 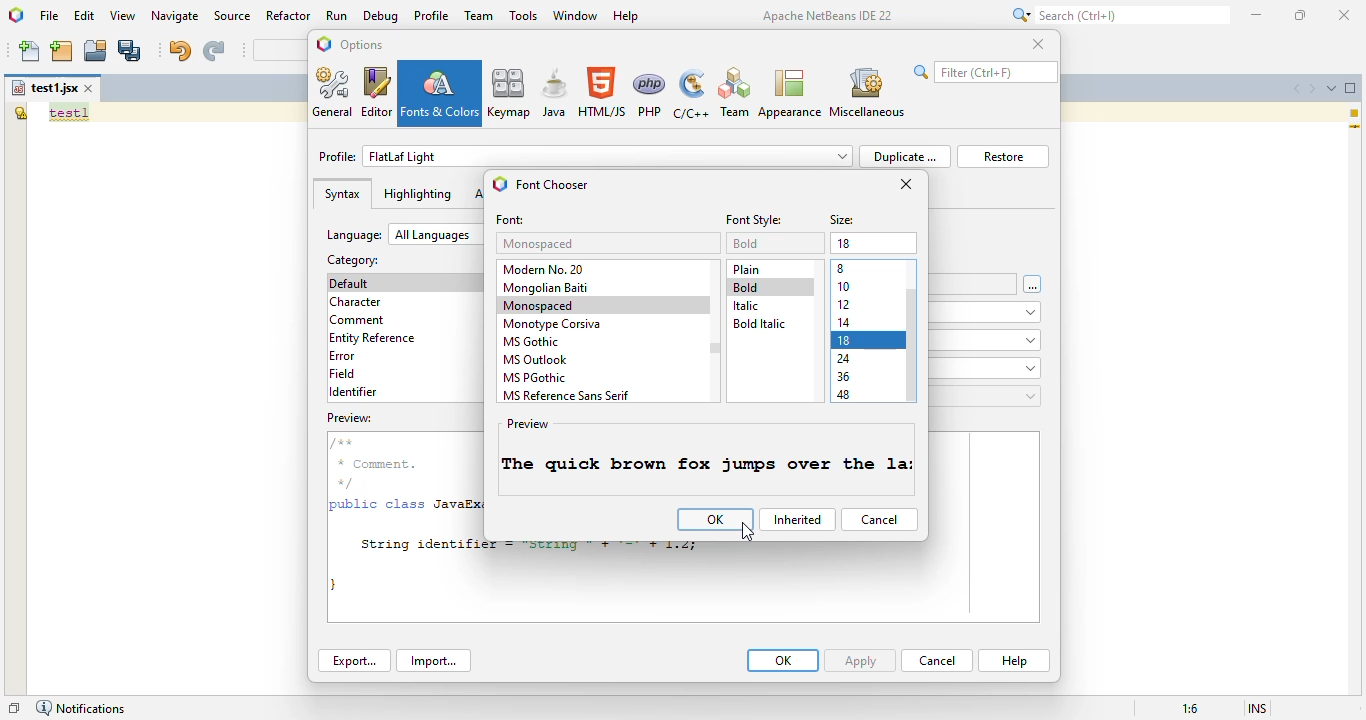 I want to click on text, so click(x=69, y=113).